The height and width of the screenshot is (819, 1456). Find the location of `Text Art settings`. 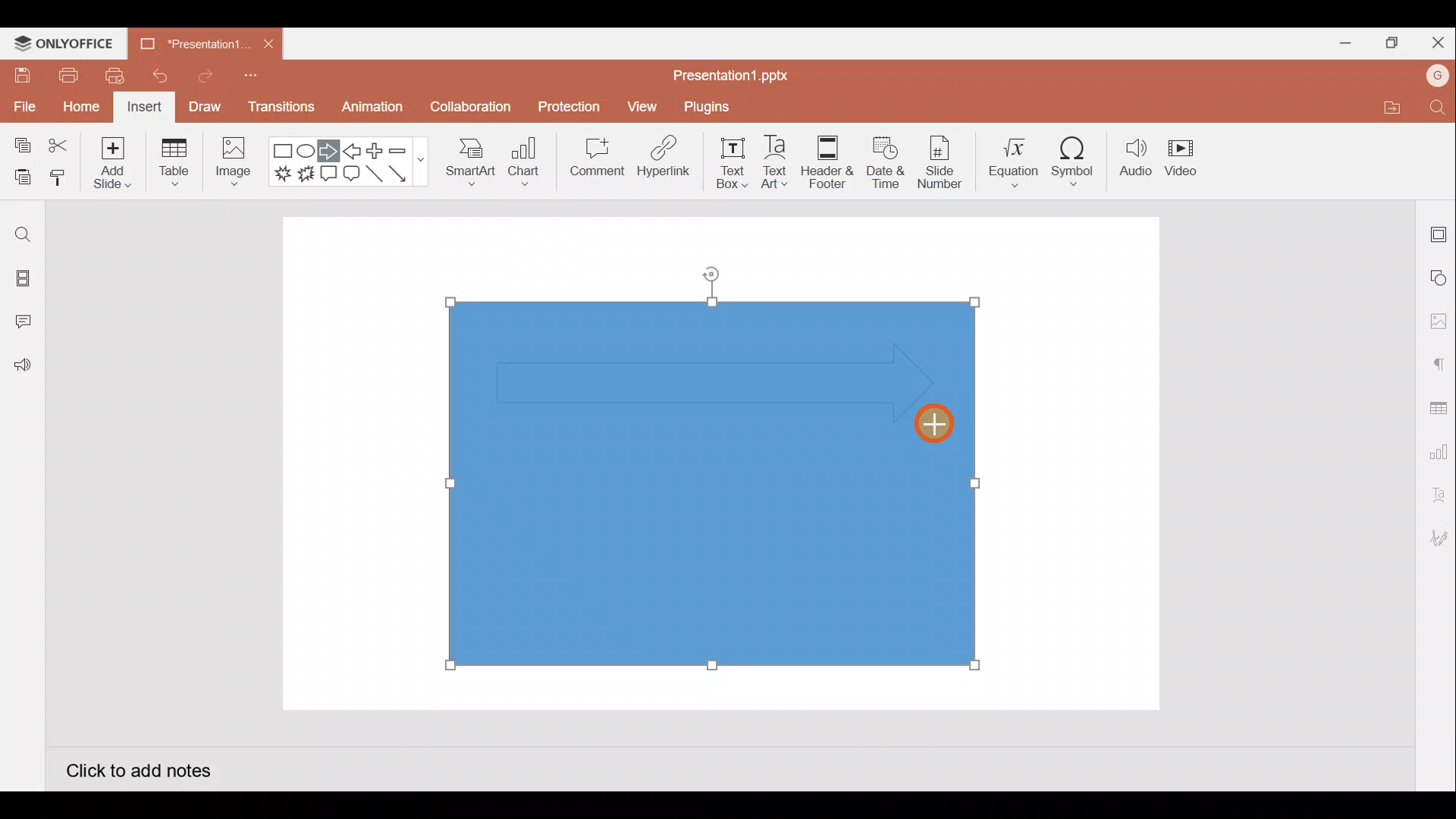

Text Art settings is located at coordinates (1437, 495).